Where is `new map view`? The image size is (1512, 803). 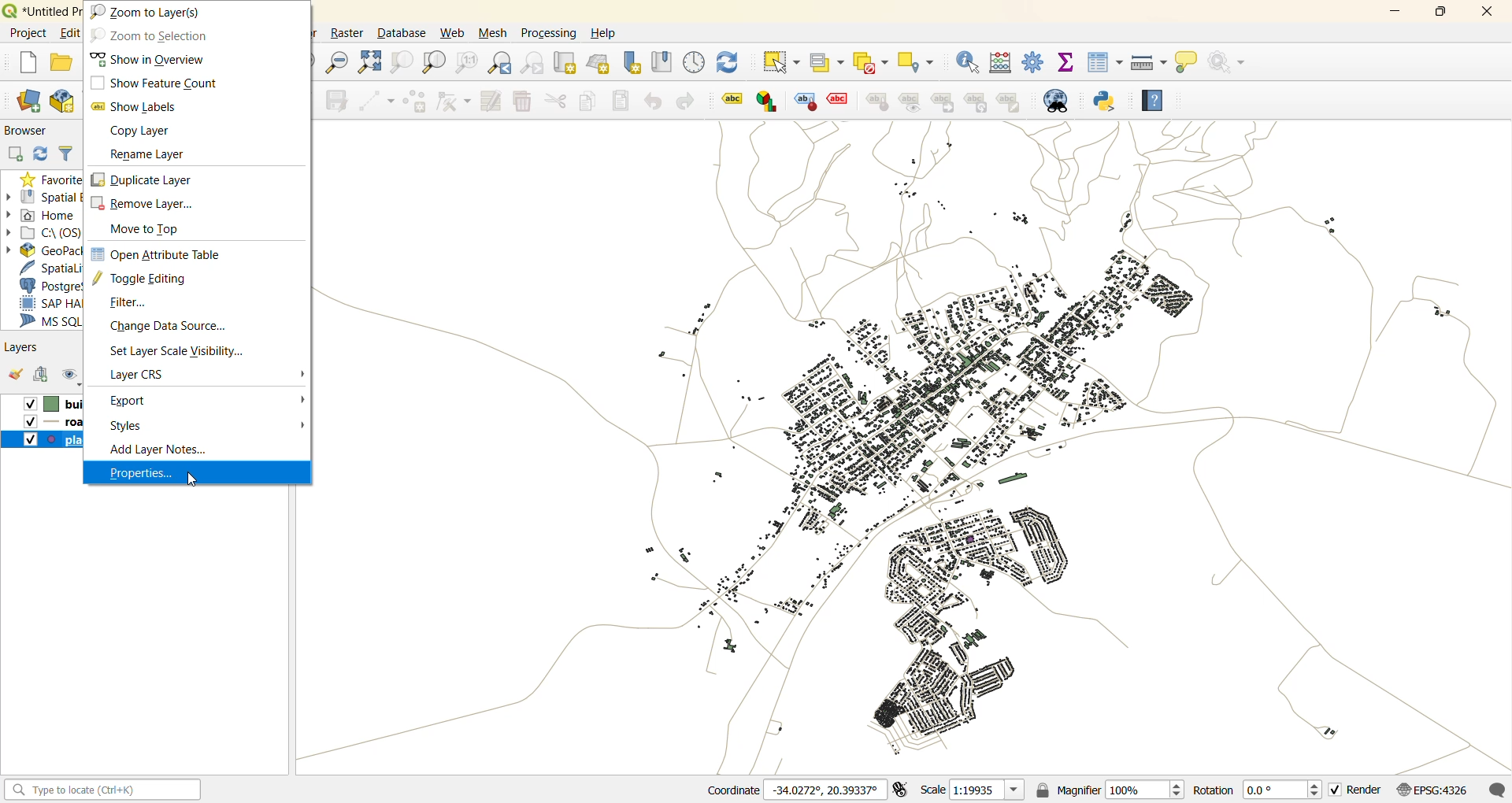 new map view is located at coordinates (567, 63).